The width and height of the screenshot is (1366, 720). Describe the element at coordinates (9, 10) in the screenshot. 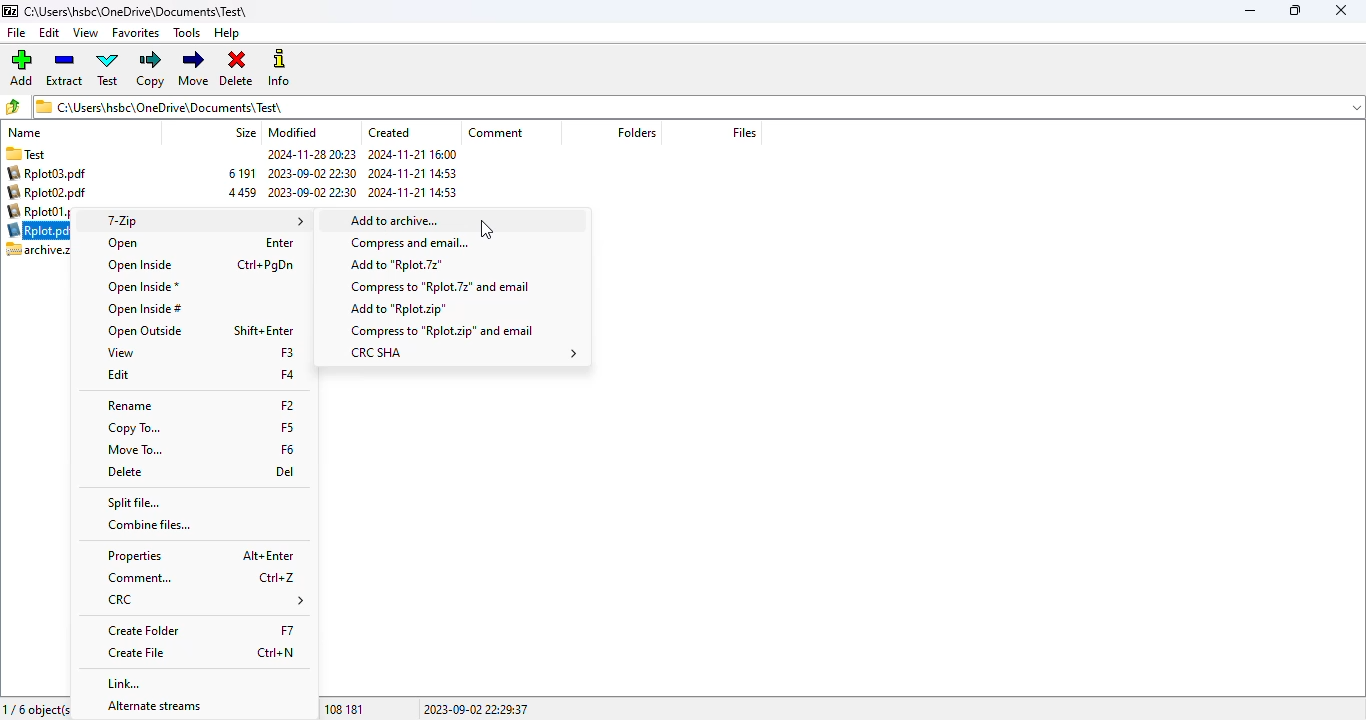

I see `logo` at that location.